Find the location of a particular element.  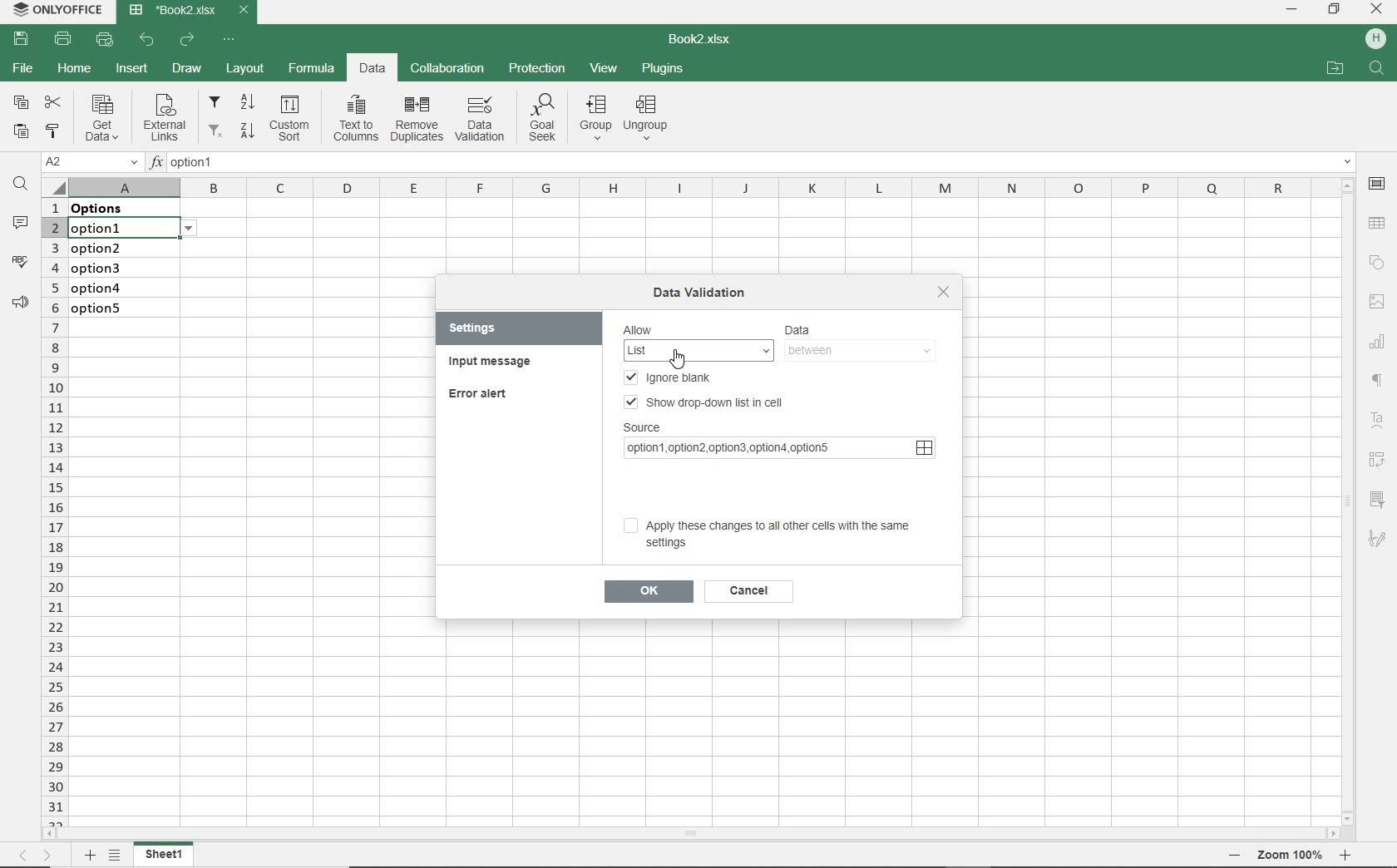

COLUMNS is located at coordinates (700, 186).